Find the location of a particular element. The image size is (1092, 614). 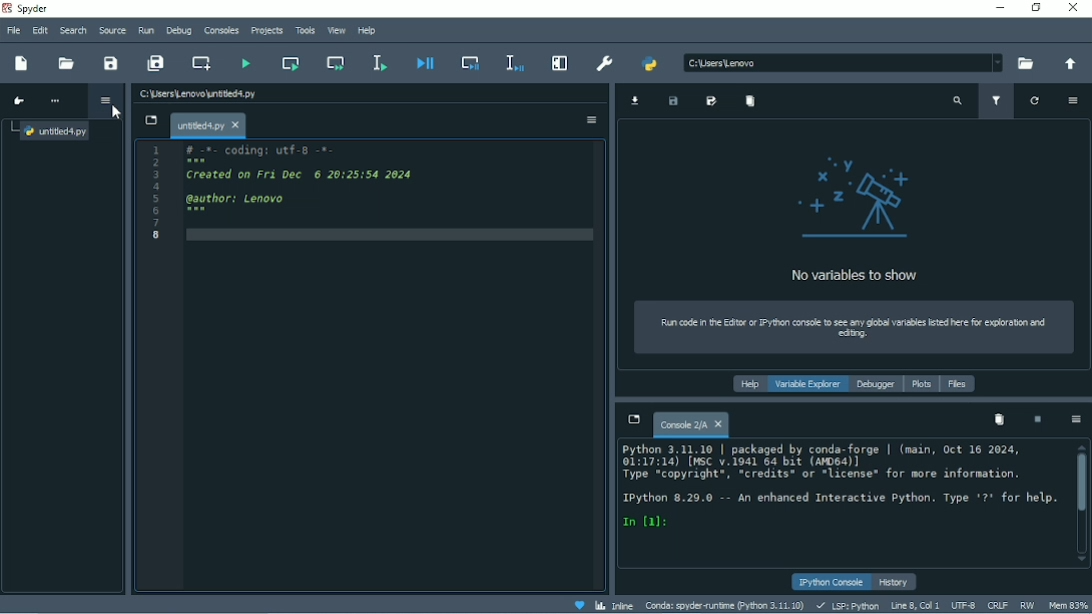

Vertical scrollbar is located at coordinates (1080, 483).